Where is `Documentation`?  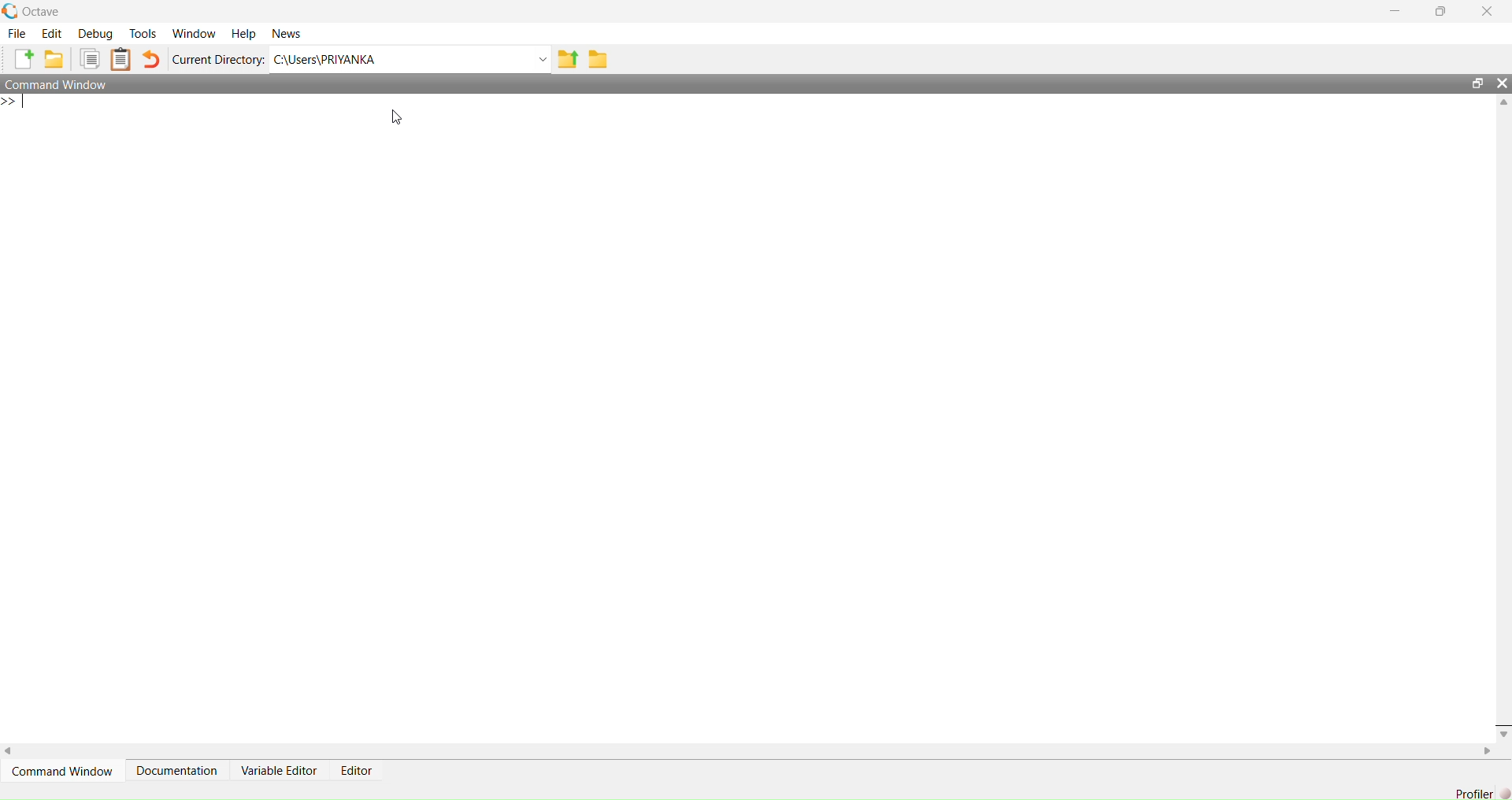
Documentation is located at coordinates (176, 771).